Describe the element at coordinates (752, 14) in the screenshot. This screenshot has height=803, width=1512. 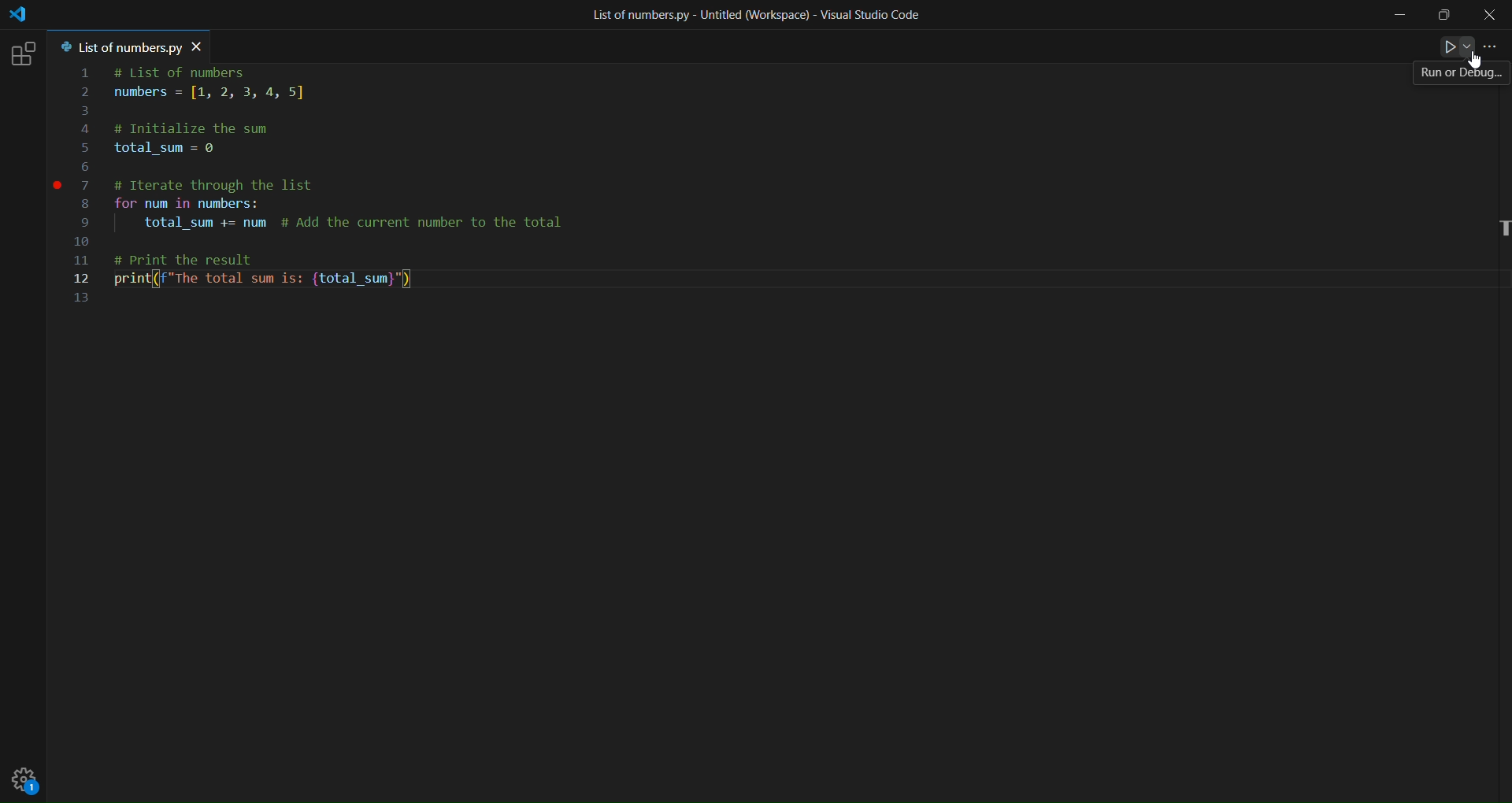
I see `title` at that location.